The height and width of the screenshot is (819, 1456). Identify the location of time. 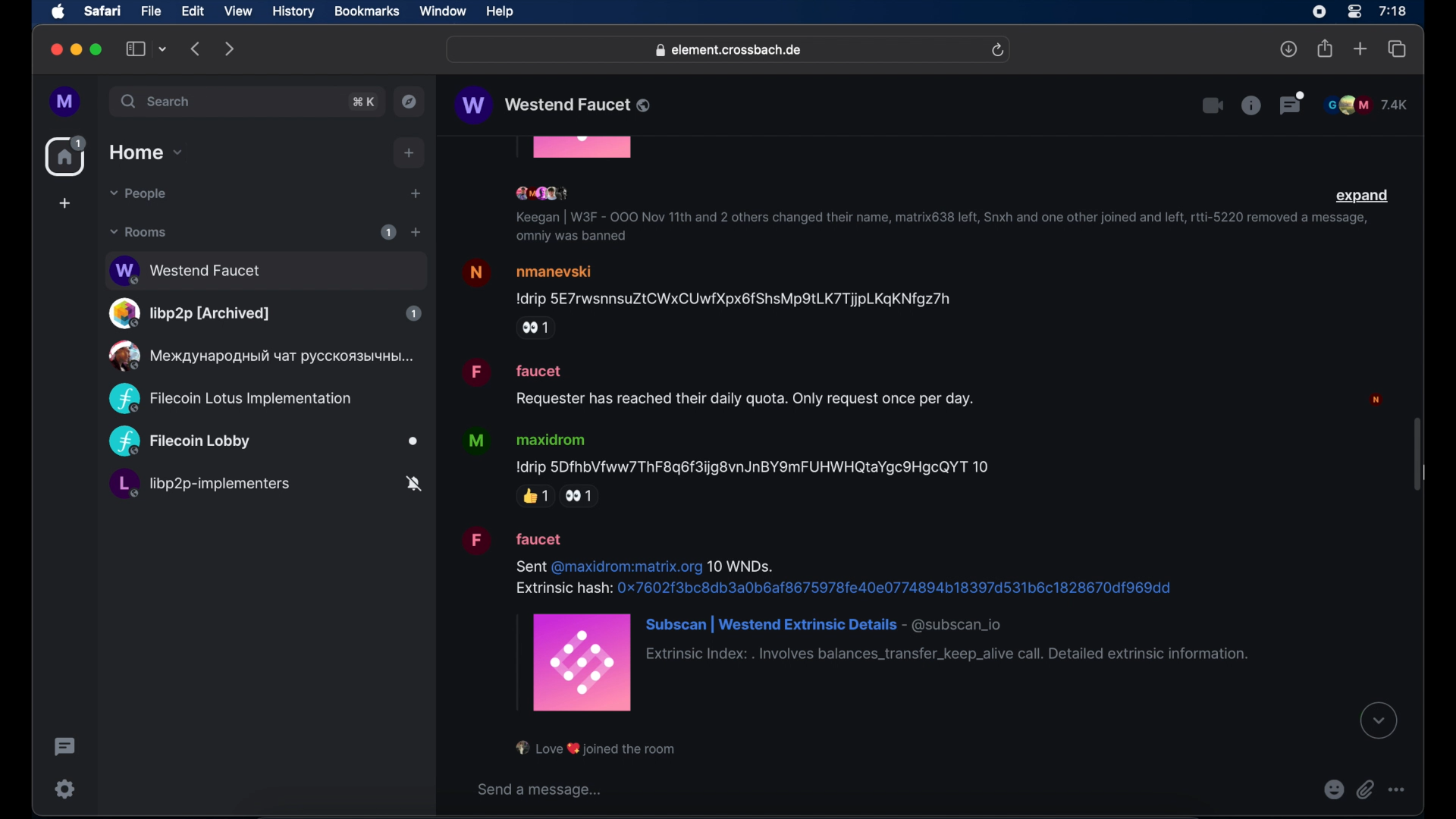
(1392, 11).